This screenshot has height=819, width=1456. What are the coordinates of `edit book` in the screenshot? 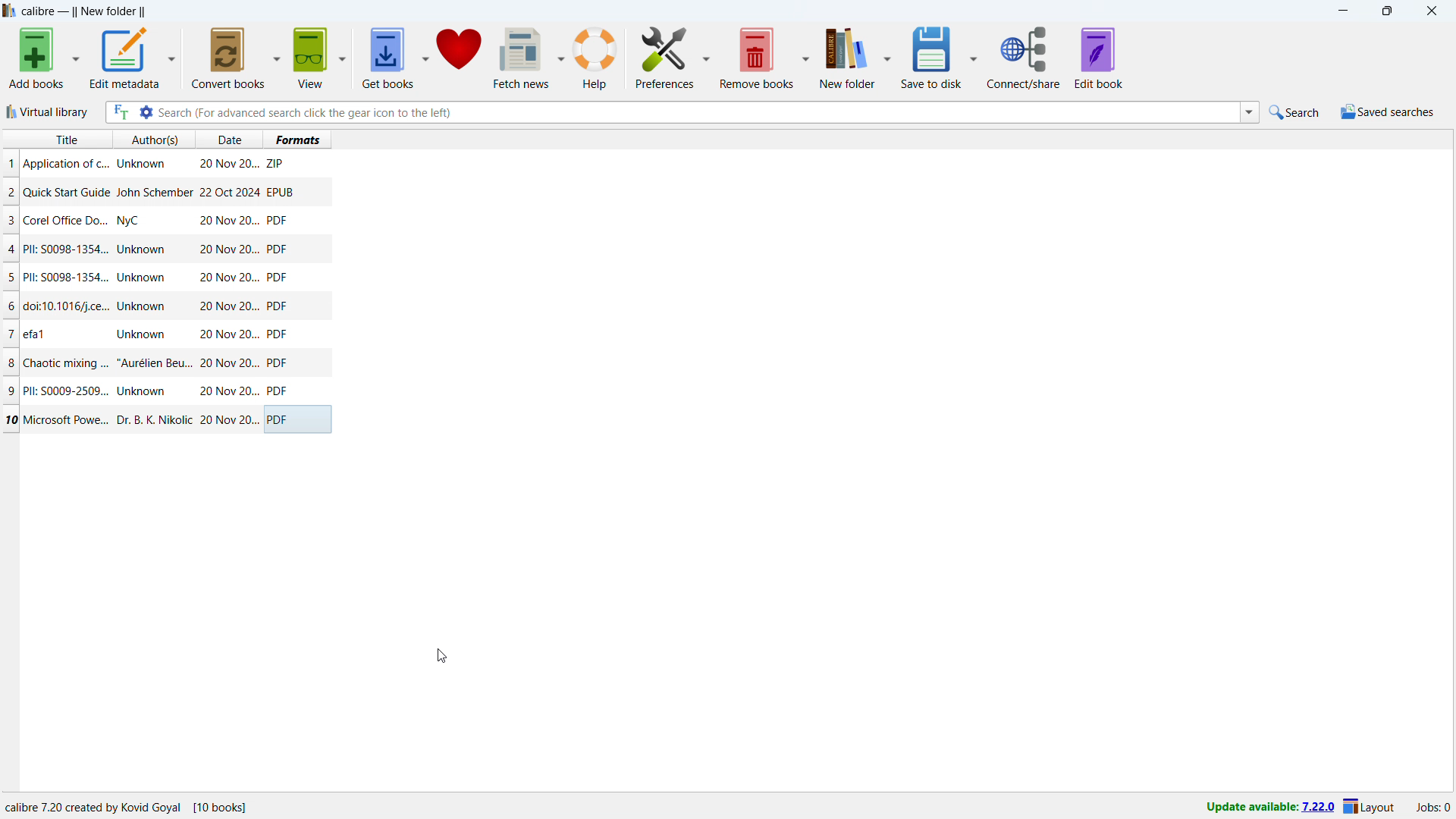 It's located at (1100, 58).